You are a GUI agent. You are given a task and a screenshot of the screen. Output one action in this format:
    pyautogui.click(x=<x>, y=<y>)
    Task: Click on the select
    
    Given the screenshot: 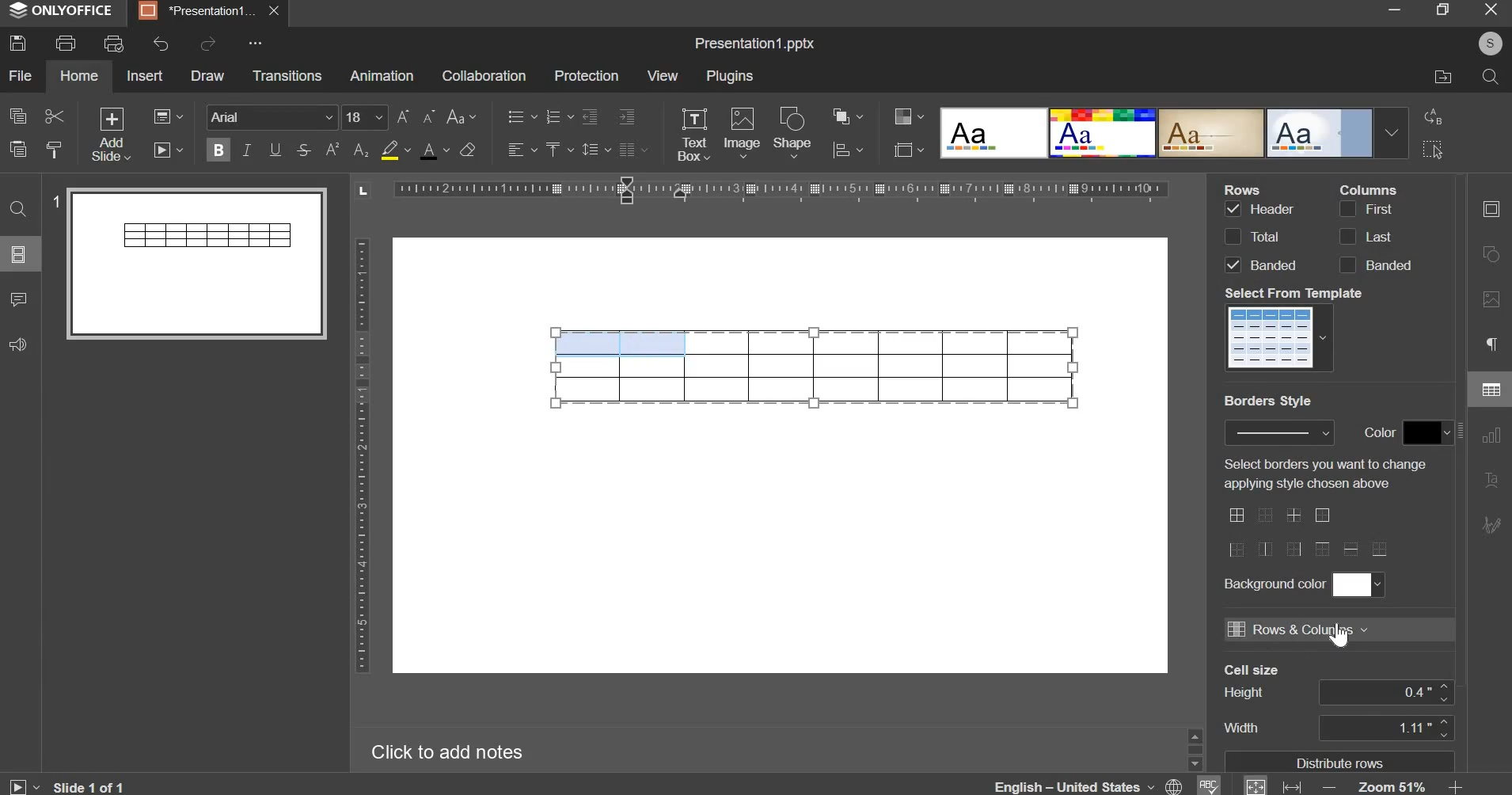 What is the action you would take?
    pyautogui.click(x=1433, y=151)
    